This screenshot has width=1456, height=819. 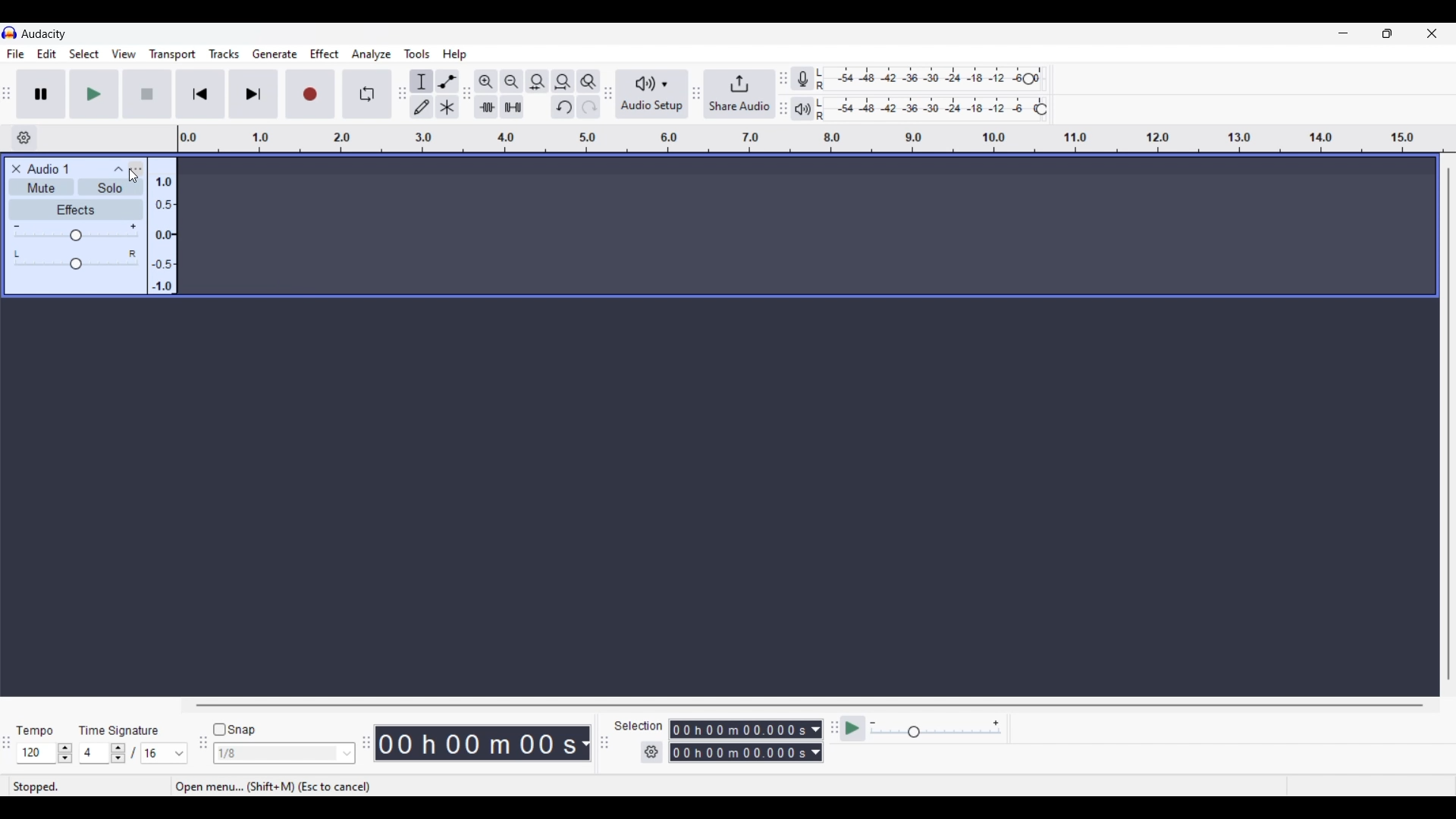 What do you see at coordinates (512, 107) in the screenshot?
I see `Silence audio selection` at bounding box center [512, 107].